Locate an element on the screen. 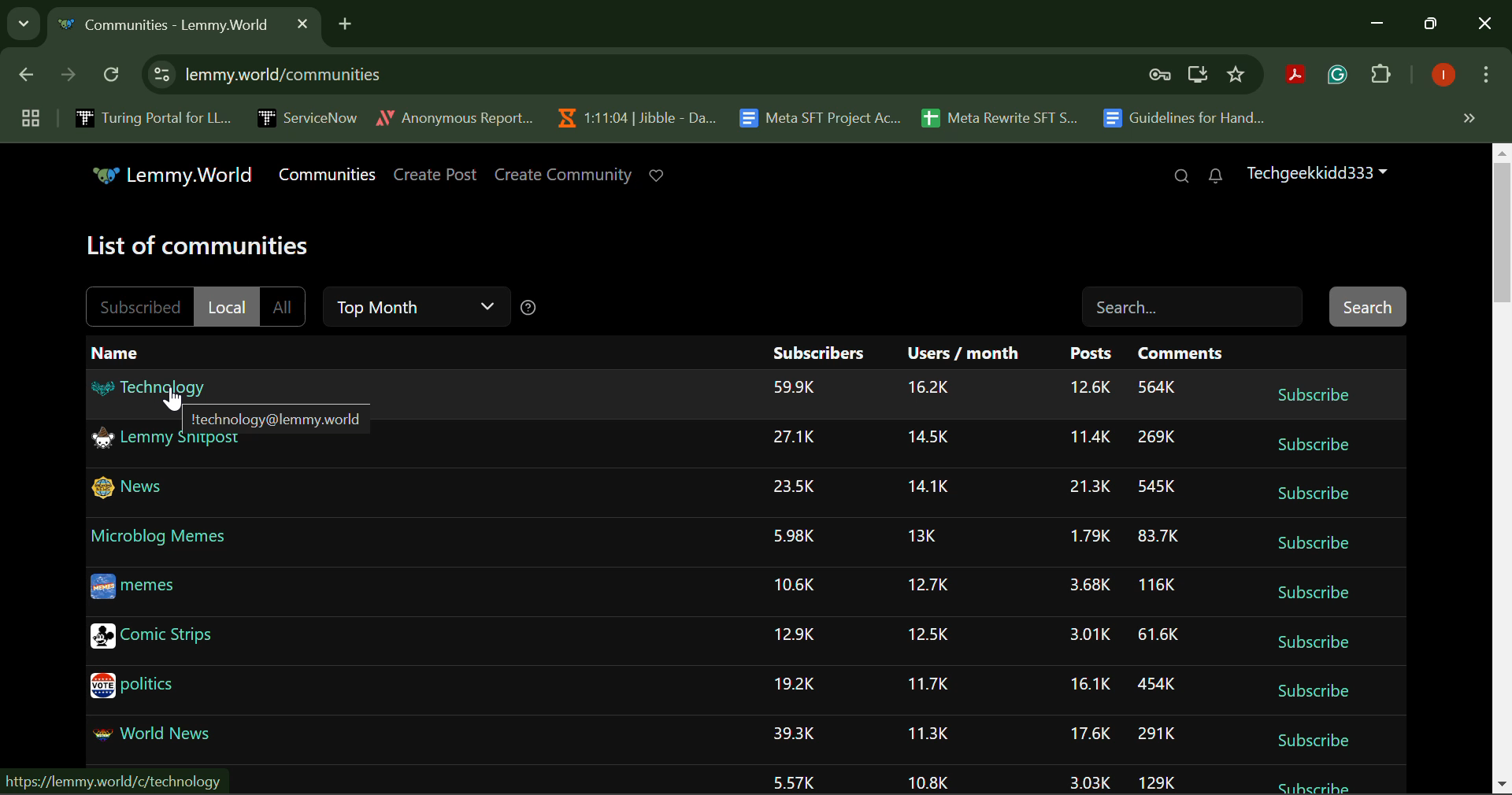  Subscribe Button is located at coordinates (1314, 740).